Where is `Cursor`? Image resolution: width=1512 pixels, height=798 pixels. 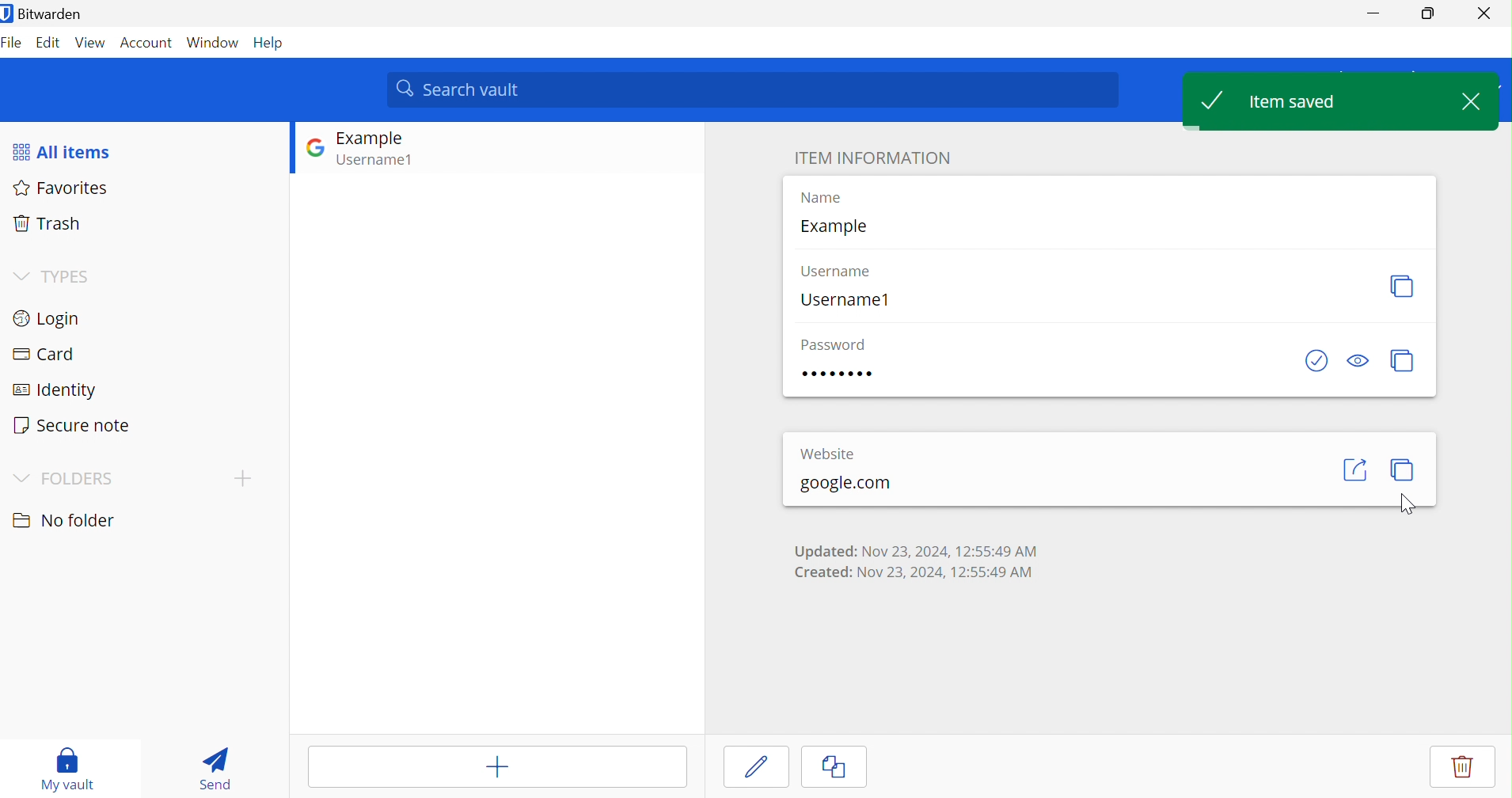 Cursor is located at coordinates (1411, 503).